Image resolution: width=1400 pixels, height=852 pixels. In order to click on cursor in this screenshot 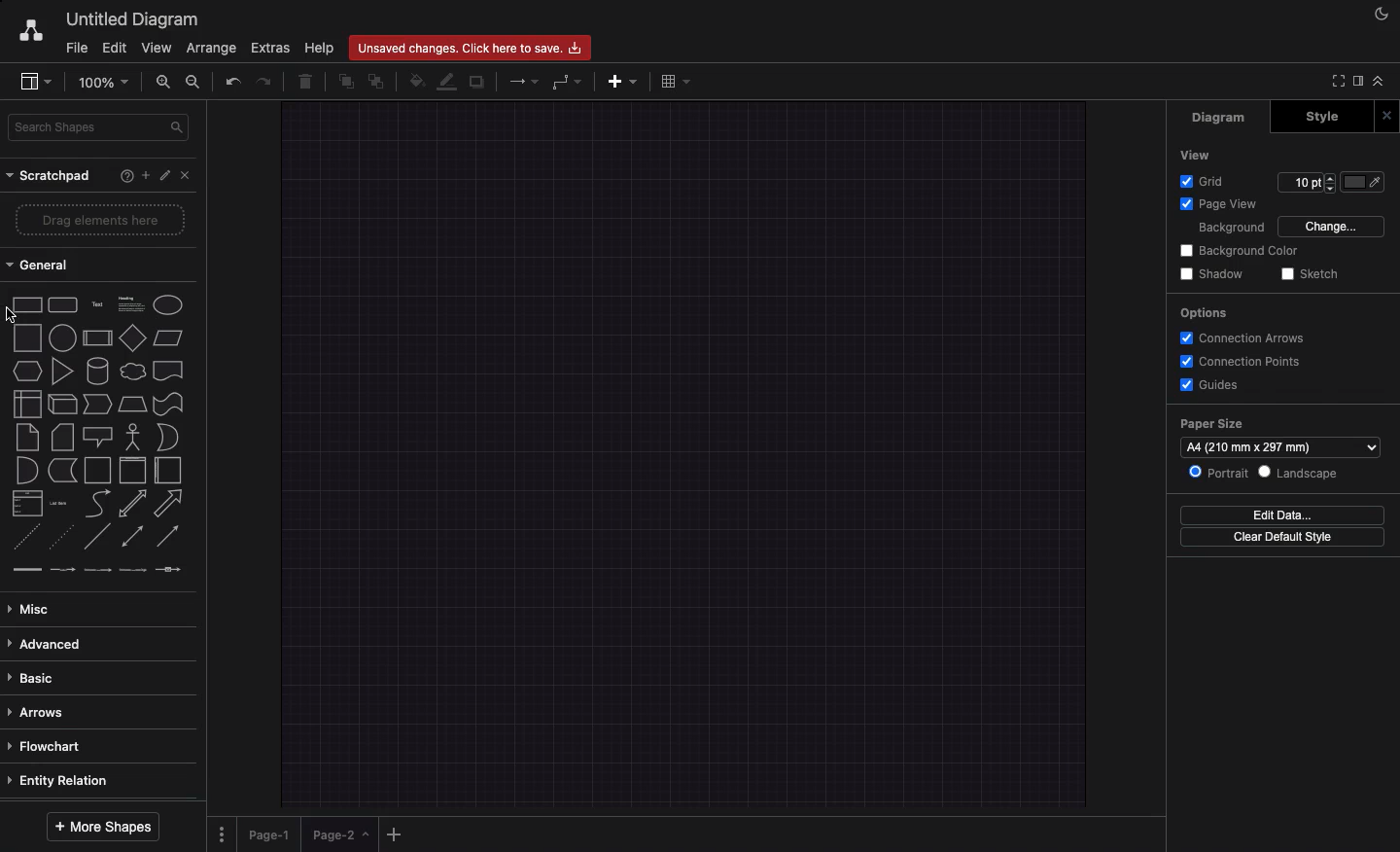, I will do `click(17, 317)`.